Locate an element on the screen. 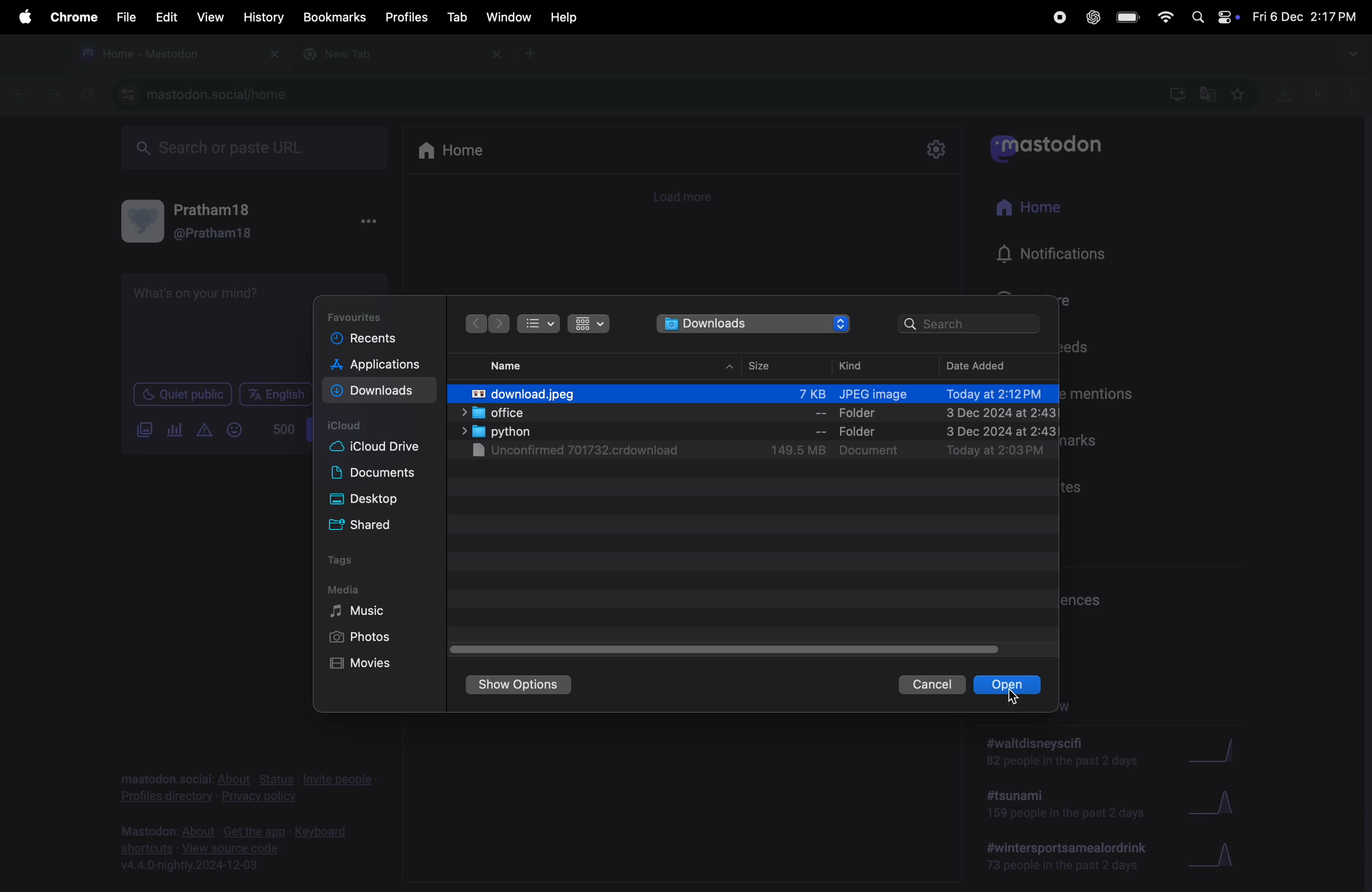 The image size is (1372, 892). bullet list is located at coordinates (537, 323).